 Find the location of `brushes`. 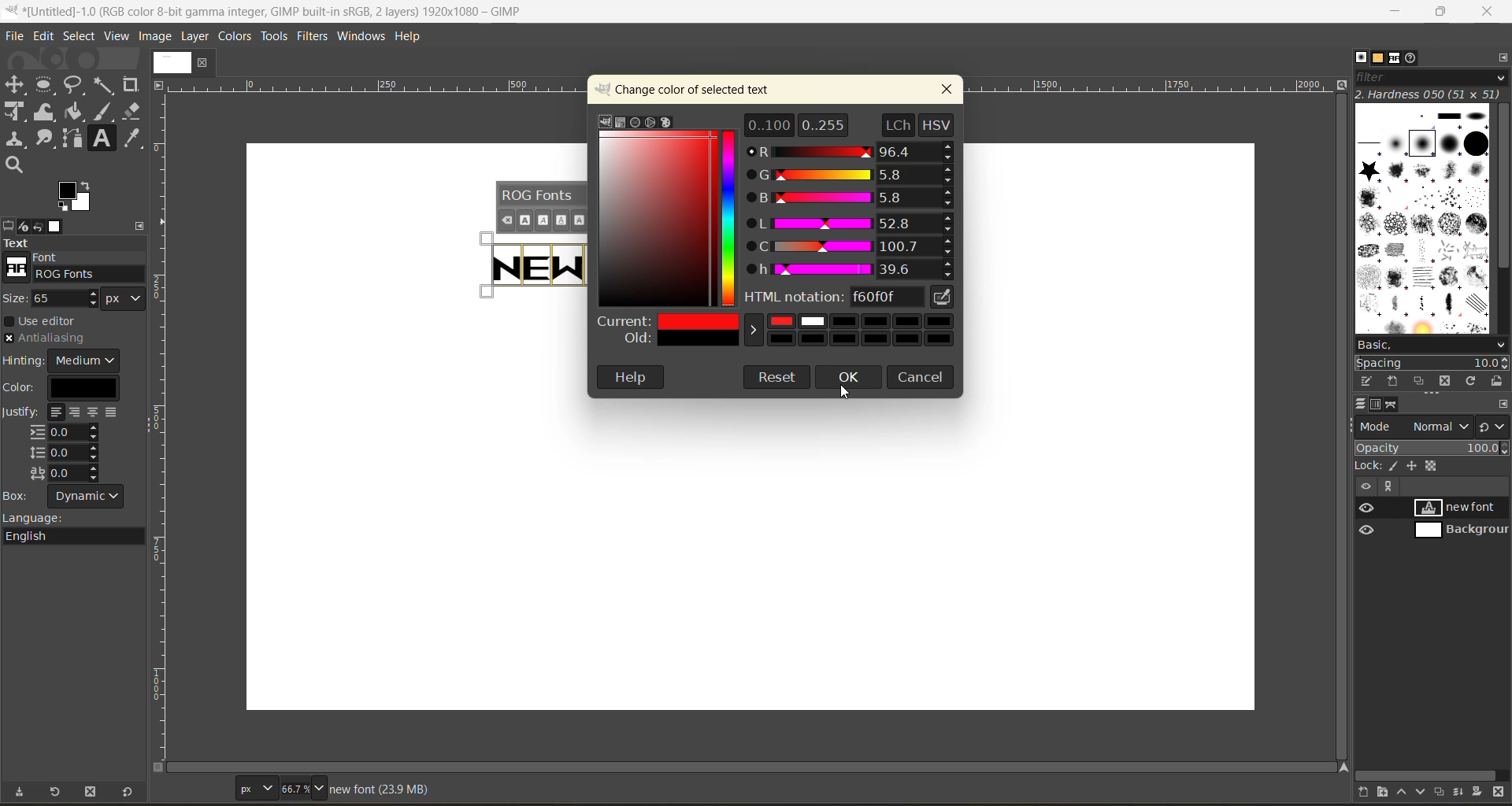

brushes is located at coordinates (1361, 57).